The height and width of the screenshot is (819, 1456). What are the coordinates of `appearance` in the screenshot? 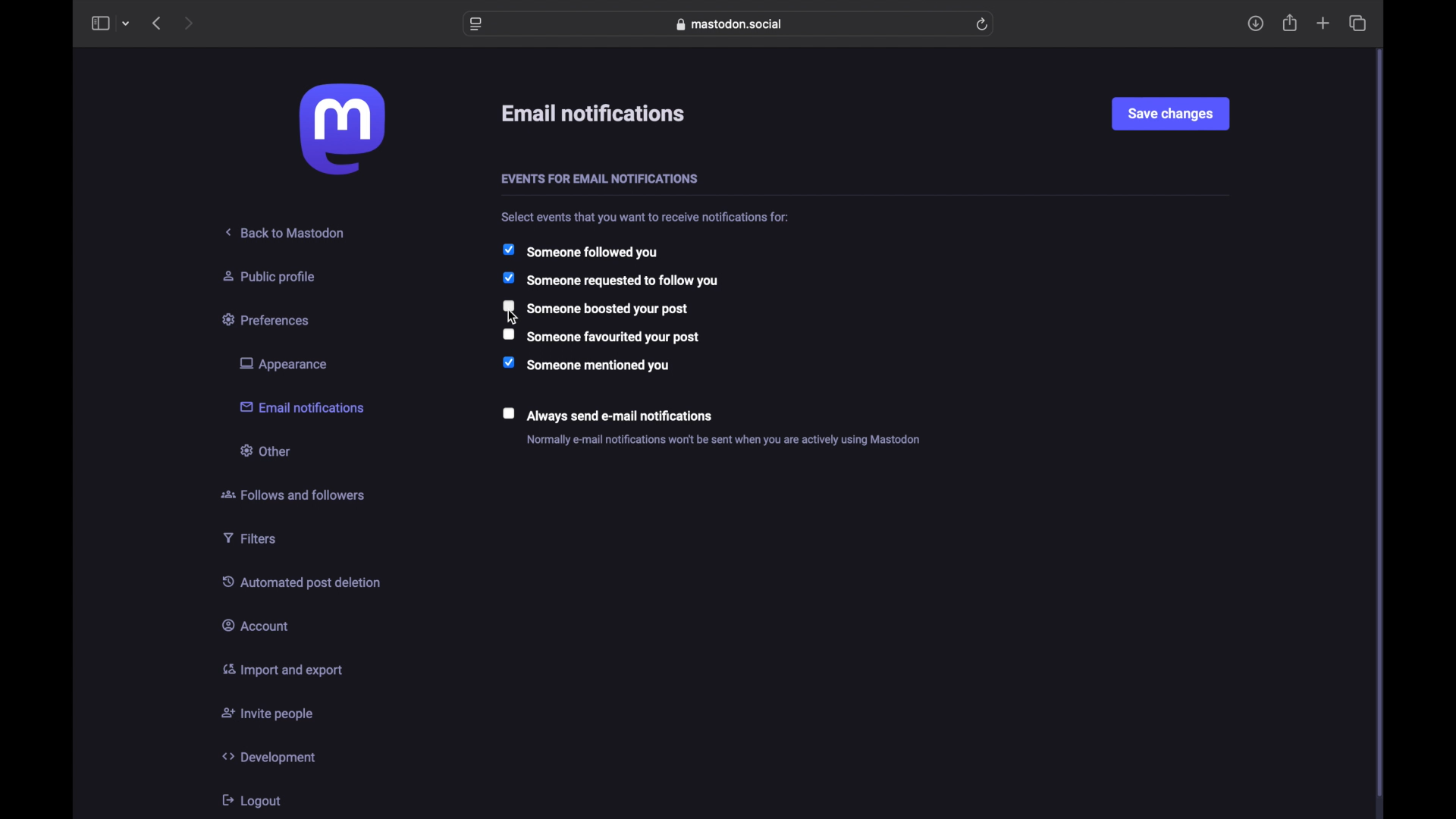 It's located at (282, 364).